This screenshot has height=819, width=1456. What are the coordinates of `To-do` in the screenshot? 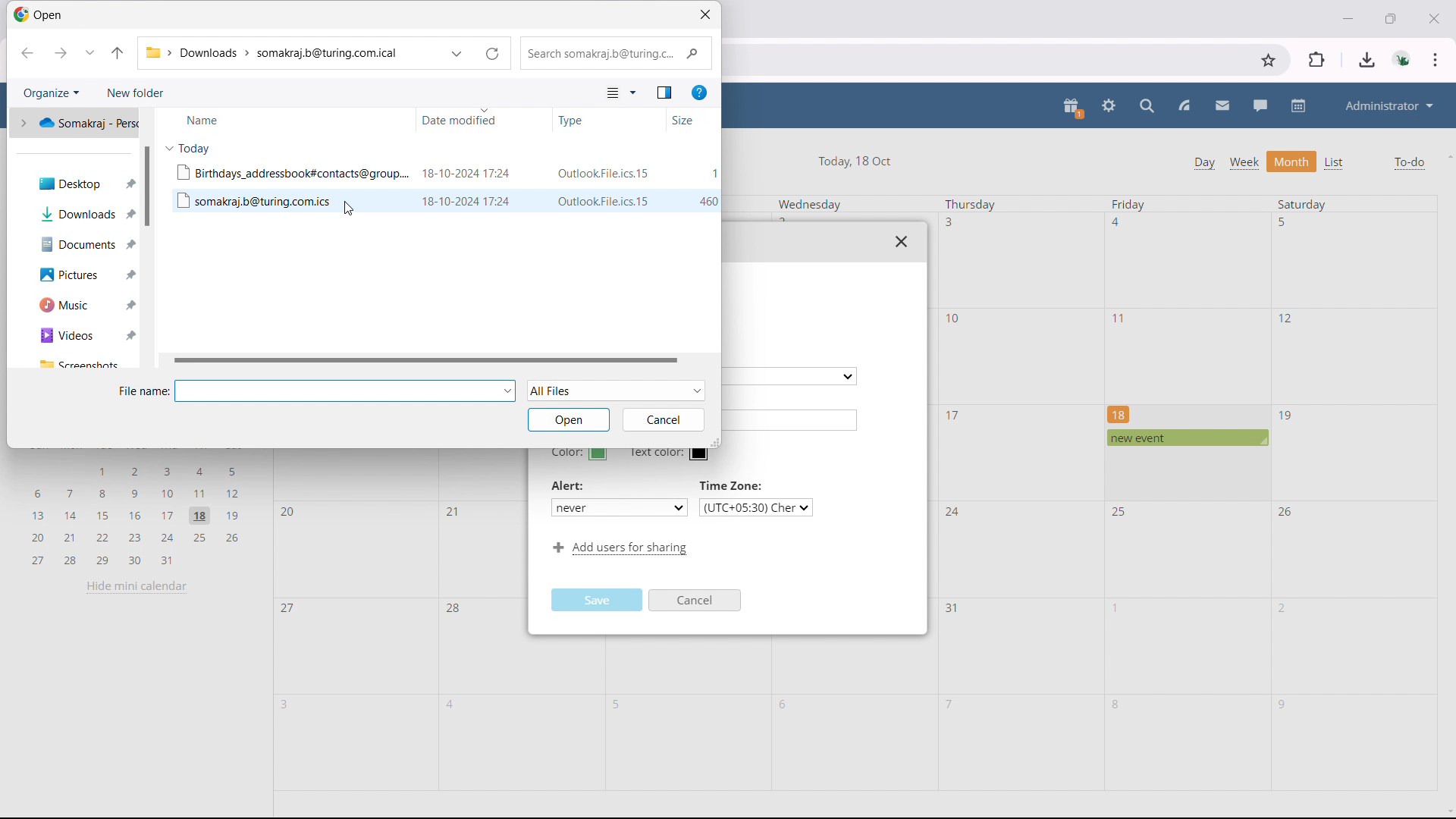 It's located at (1409, 163).